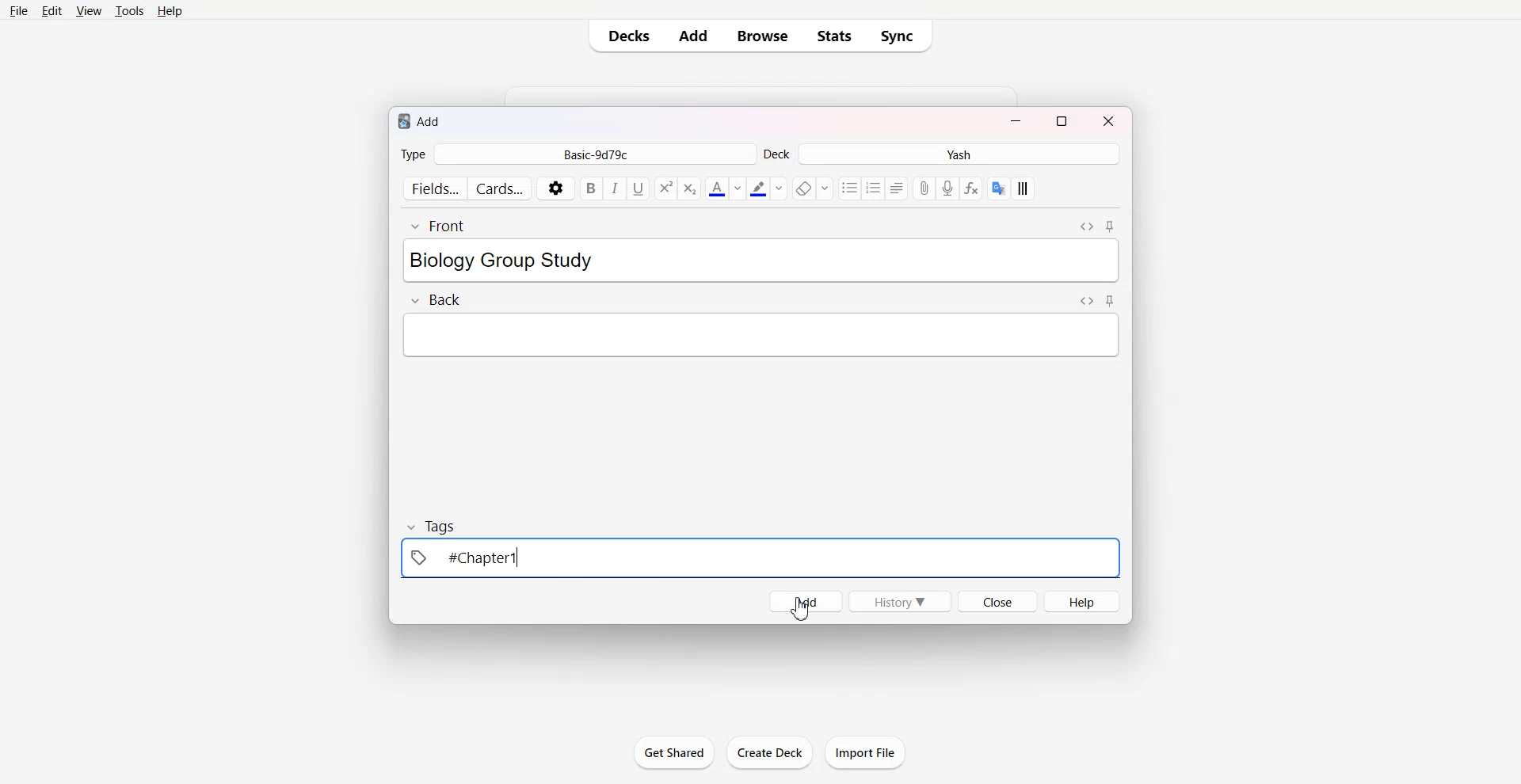 Image resolution: width=1521 pixels, height=784 pixels. Describe the element at coordinates (665, 188) in the screenshot. I see `Subscript` at that location.